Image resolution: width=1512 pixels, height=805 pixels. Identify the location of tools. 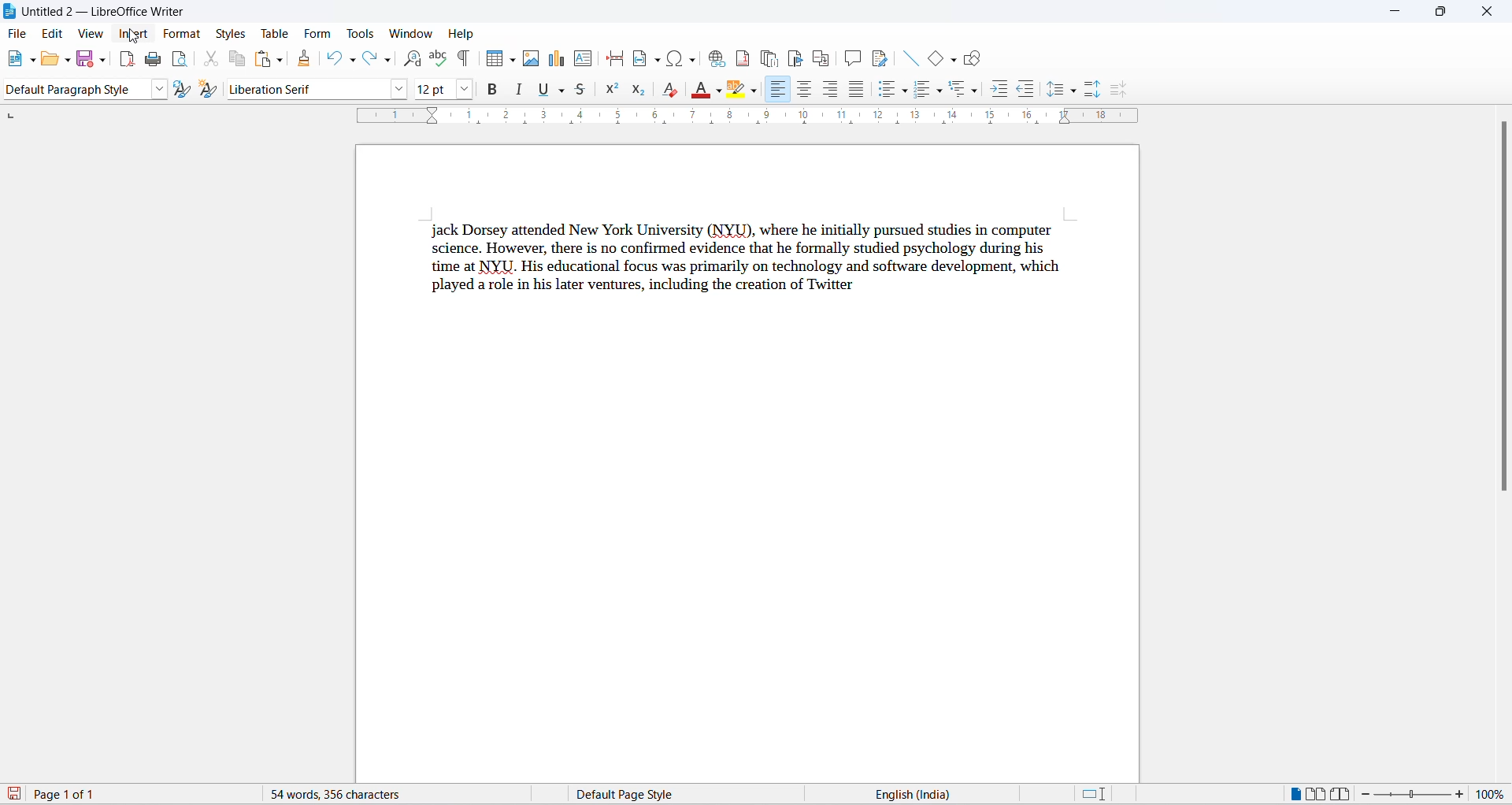
(361, 34).